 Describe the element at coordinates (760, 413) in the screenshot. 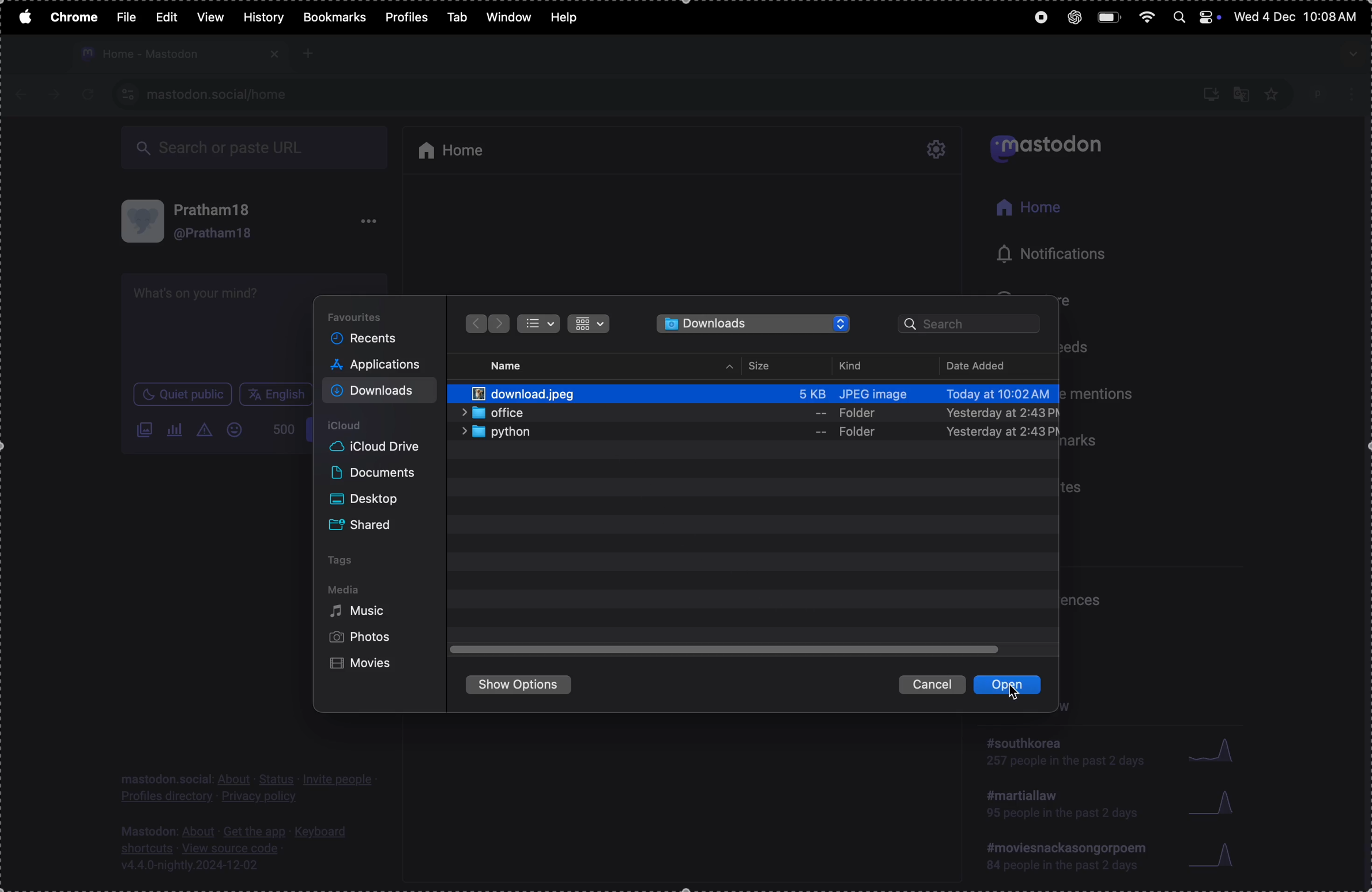

I see `office folder` at that location.